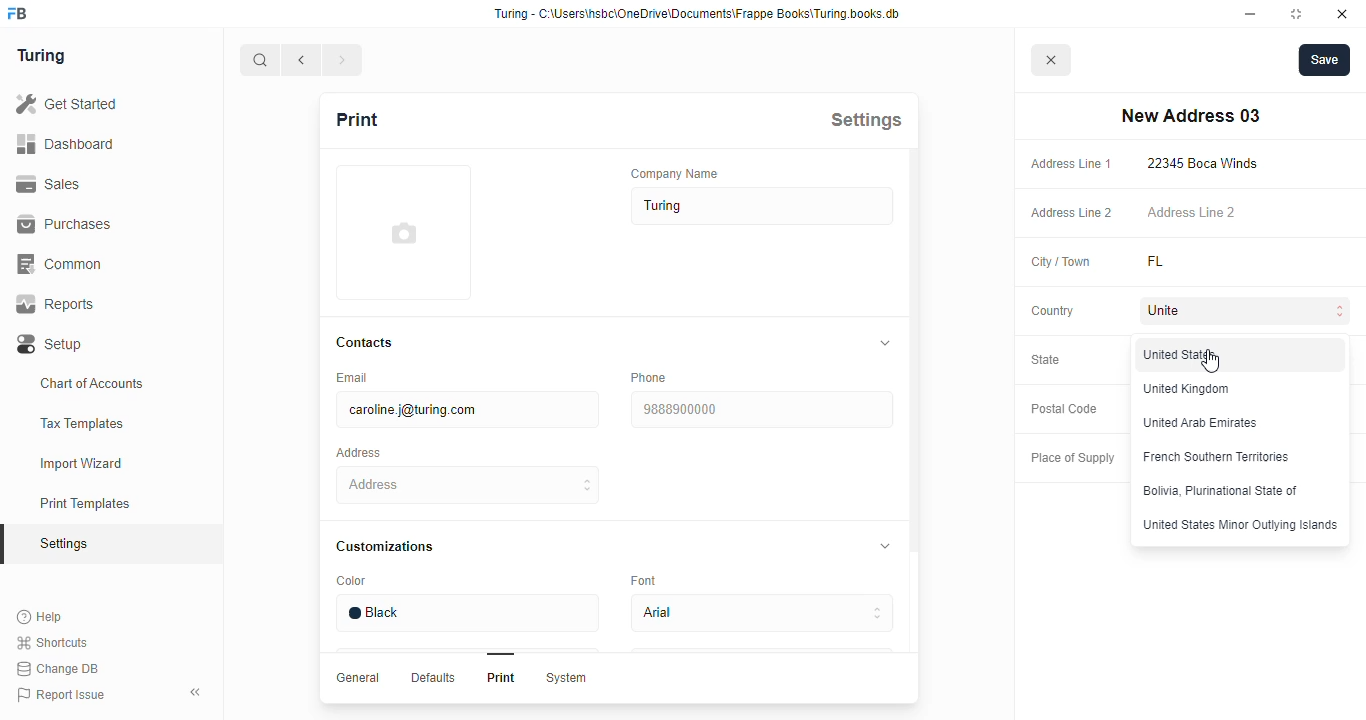 This screenshot has width=1366, height=720. What do you see at coordinates (350, 377) in the screenshot?
I see `email` at bounding box center [350, 377].